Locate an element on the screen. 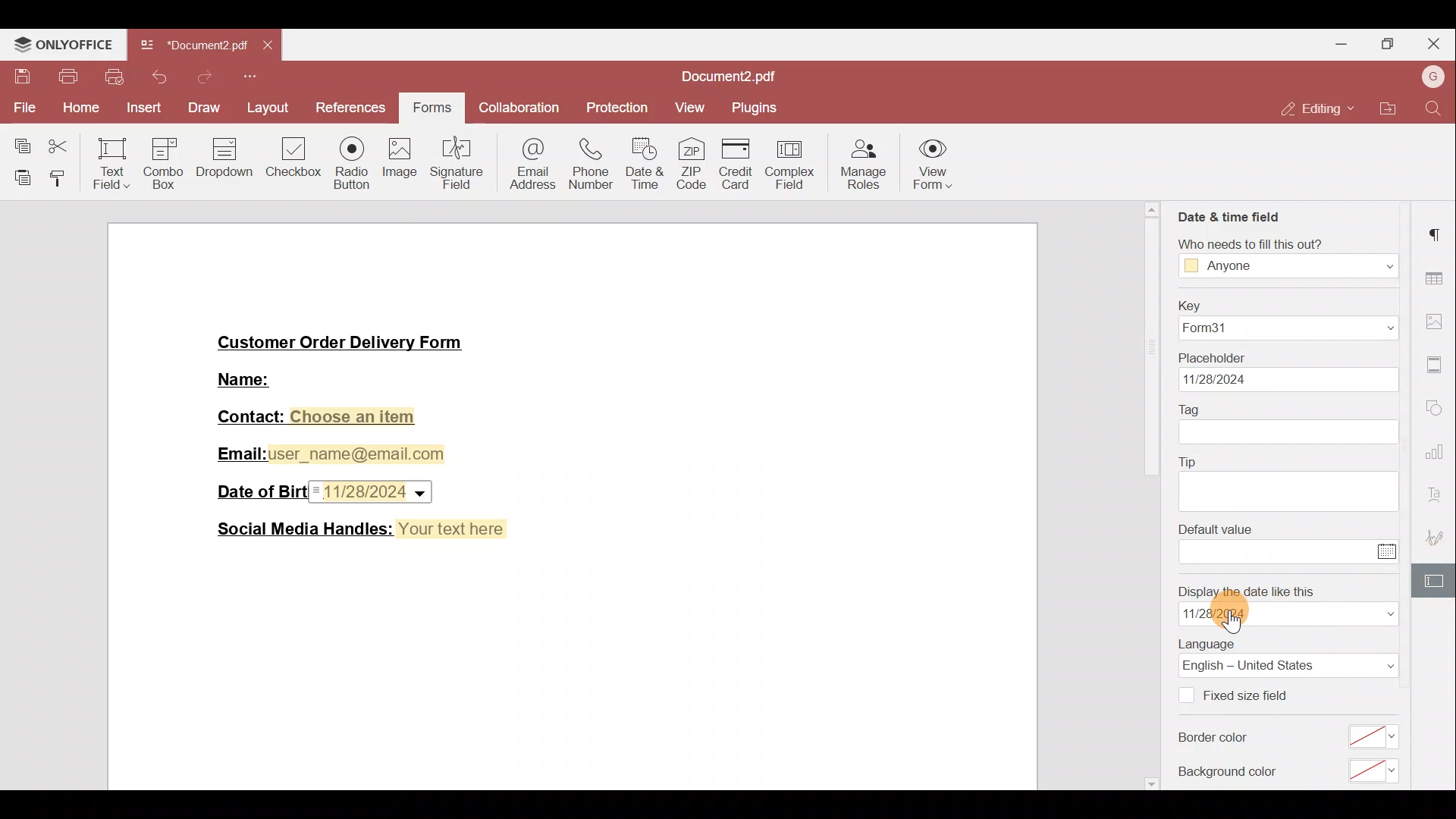  Default value is located at coordinates (1217, 529).